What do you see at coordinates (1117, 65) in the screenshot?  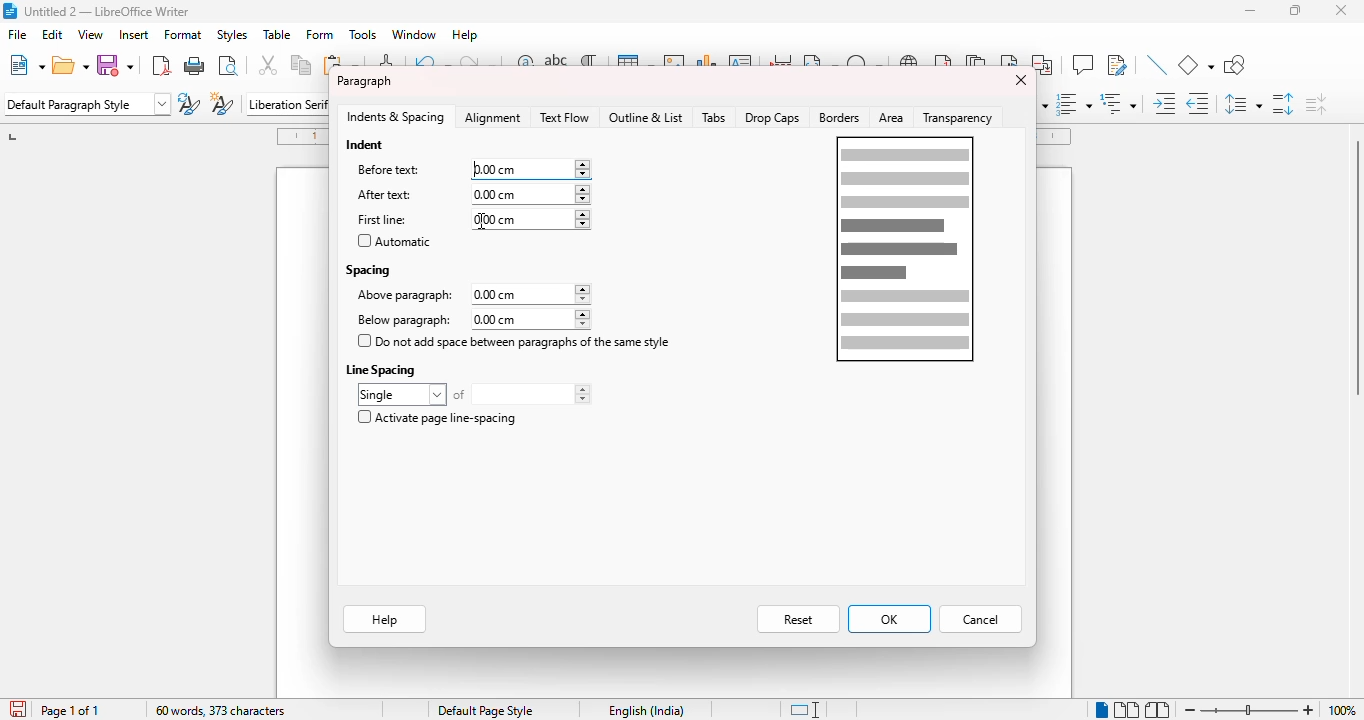 I see `show track changes functions` at bounding box center [1117, 65].